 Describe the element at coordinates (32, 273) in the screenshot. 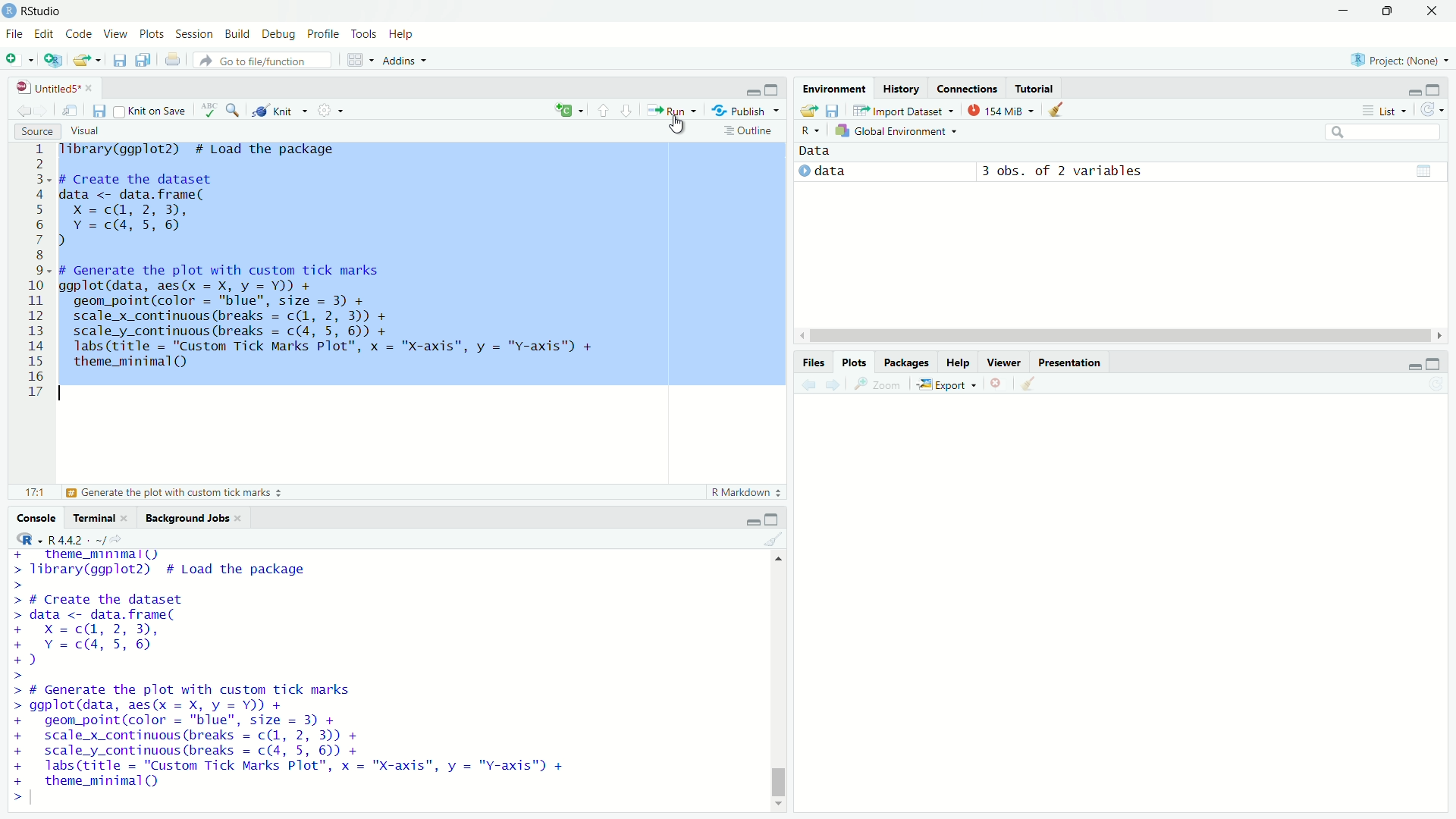

I see `` at that location.